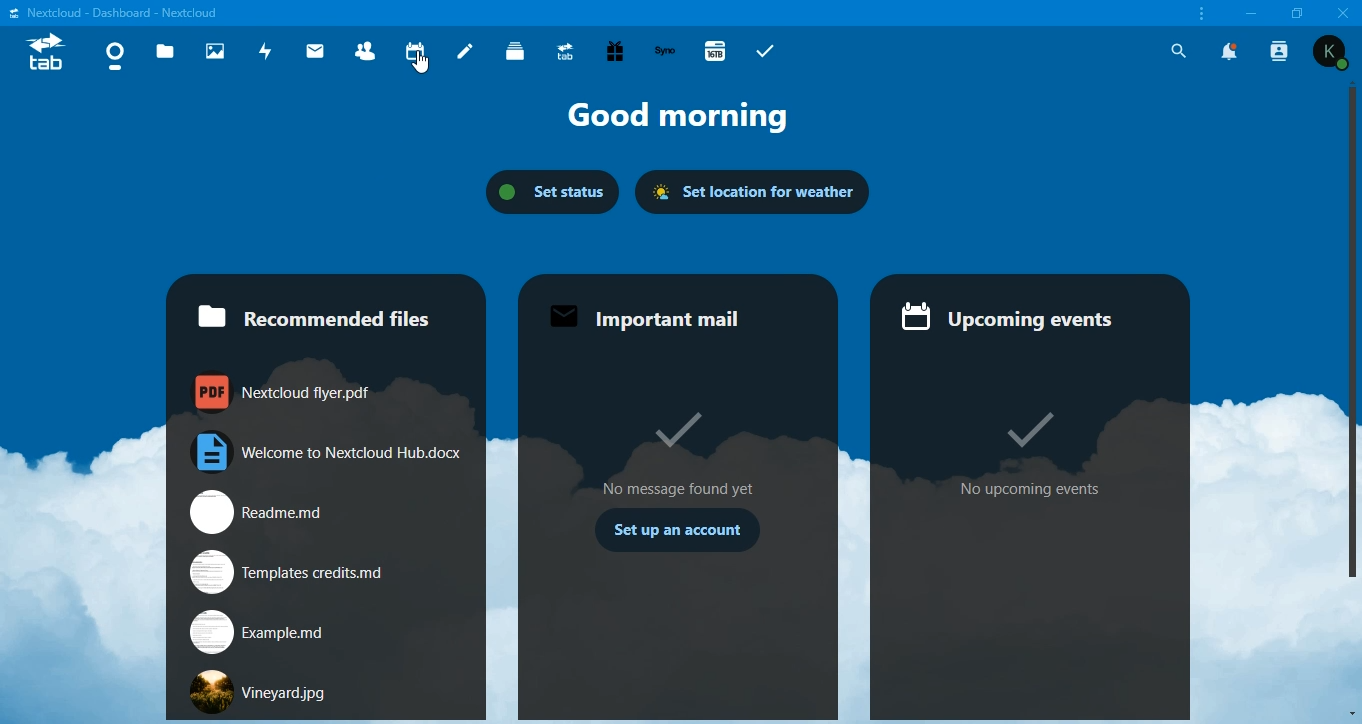  I want to click on Set up an account, so click(679, 534).